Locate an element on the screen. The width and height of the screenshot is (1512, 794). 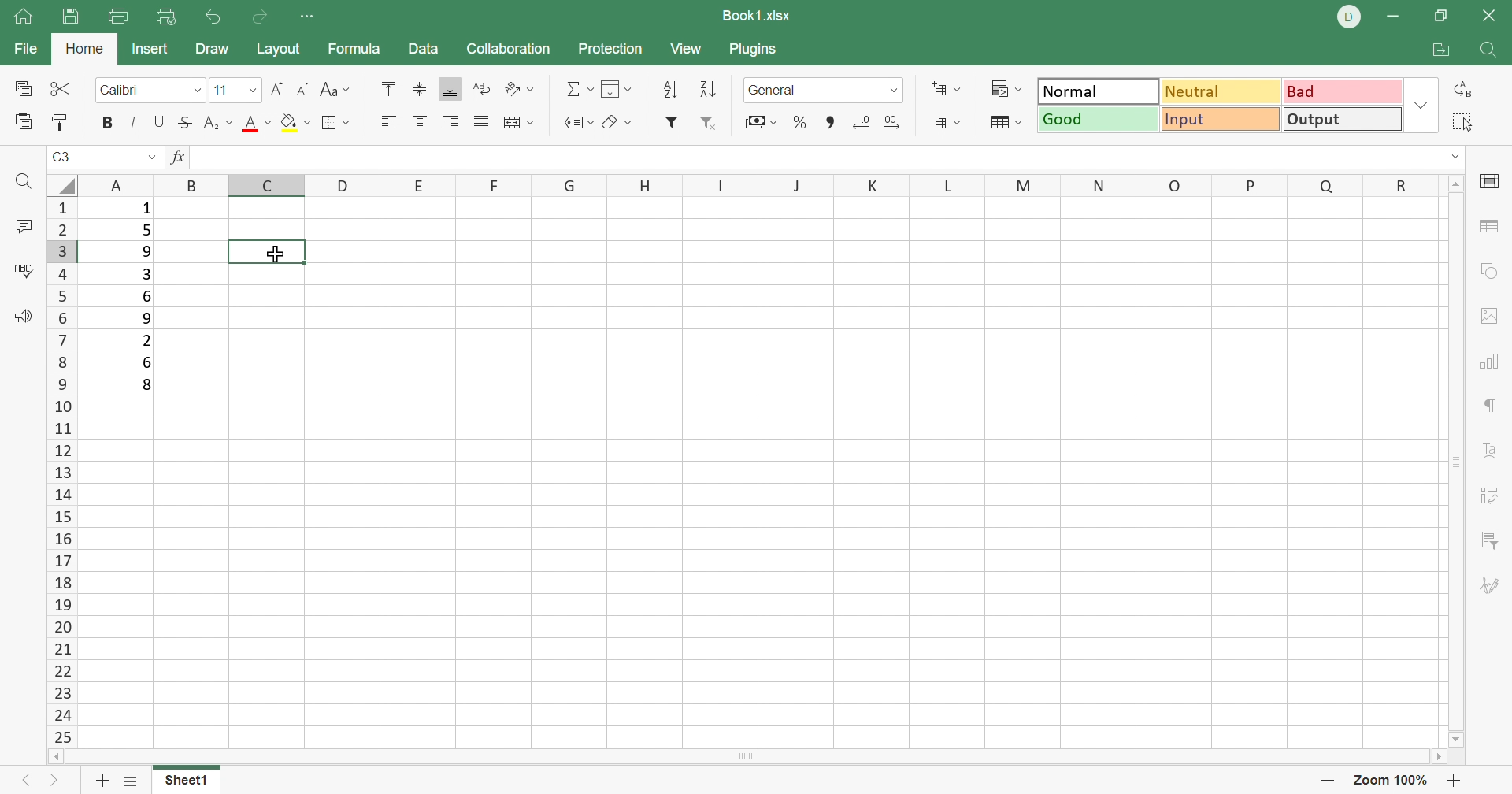
Fill color is located at coordinates (295, 126).